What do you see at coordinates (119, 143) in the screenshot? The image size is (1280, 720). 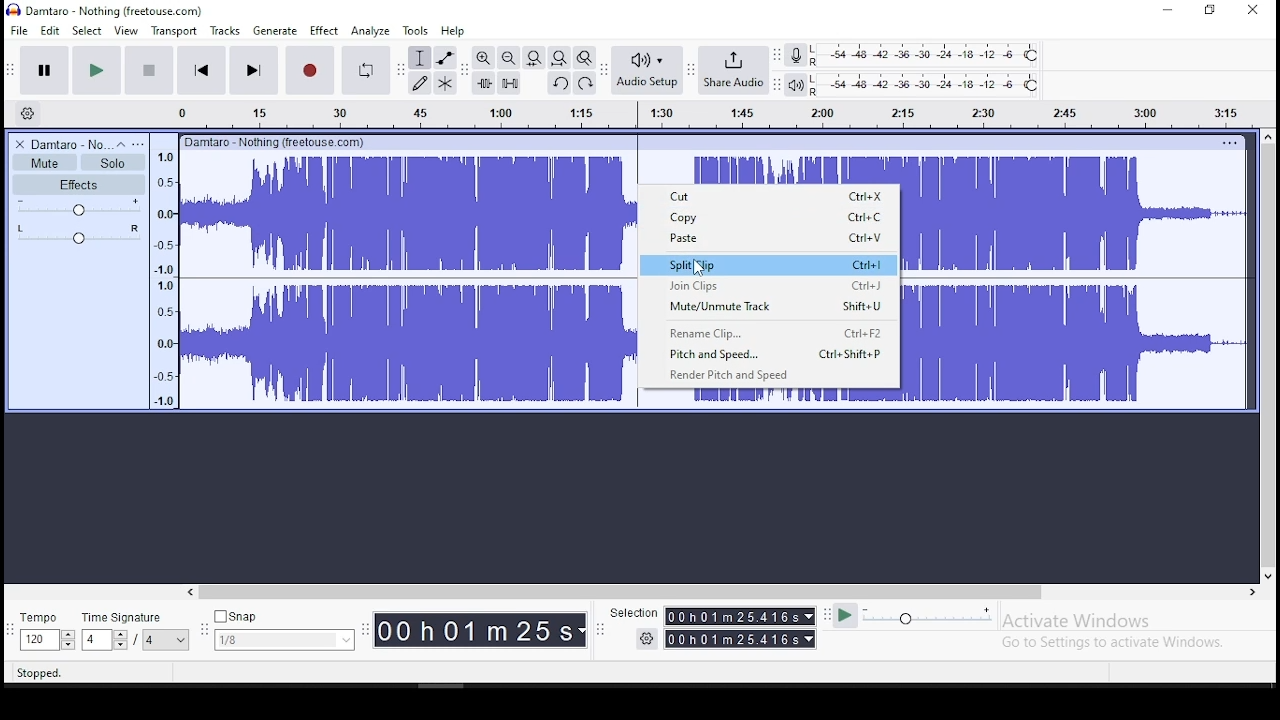 I see `collapse` at bounding box center [119, 143].